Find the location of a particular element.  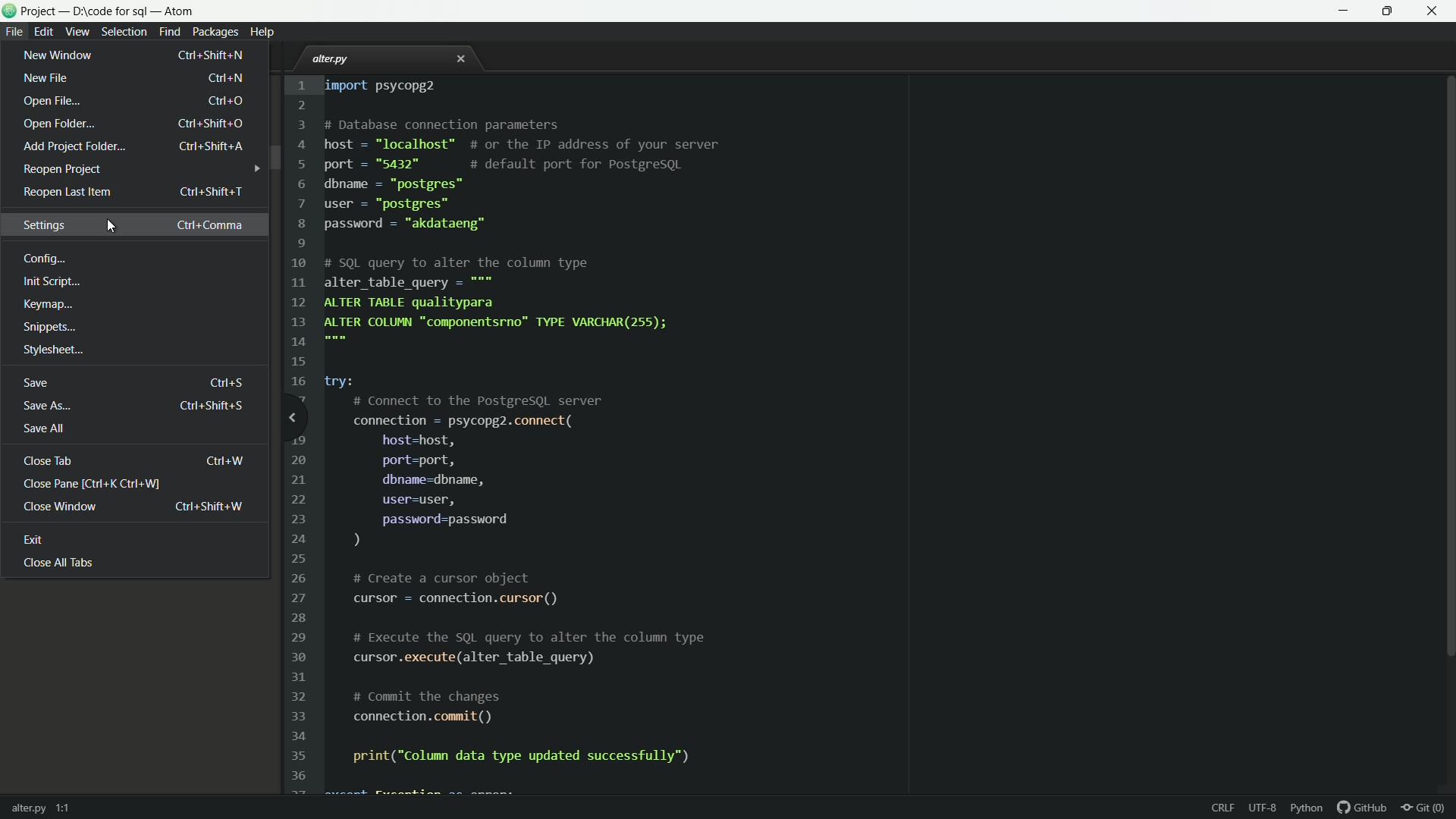

git (0) is located at coordinates (1427, 808).